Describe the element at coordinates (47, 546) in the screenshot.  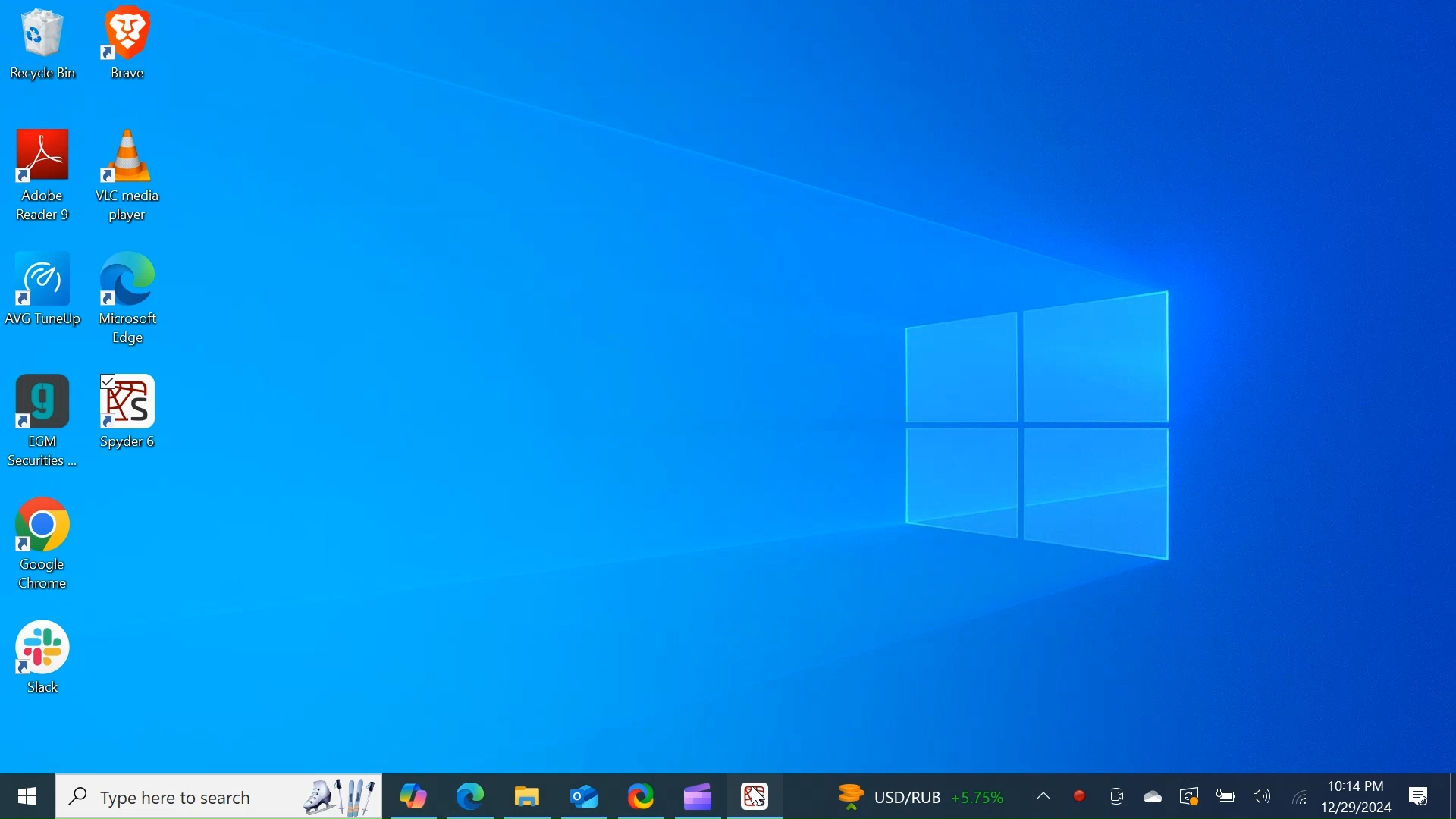
I see `Google Chrome Desktop Icon` at that location.